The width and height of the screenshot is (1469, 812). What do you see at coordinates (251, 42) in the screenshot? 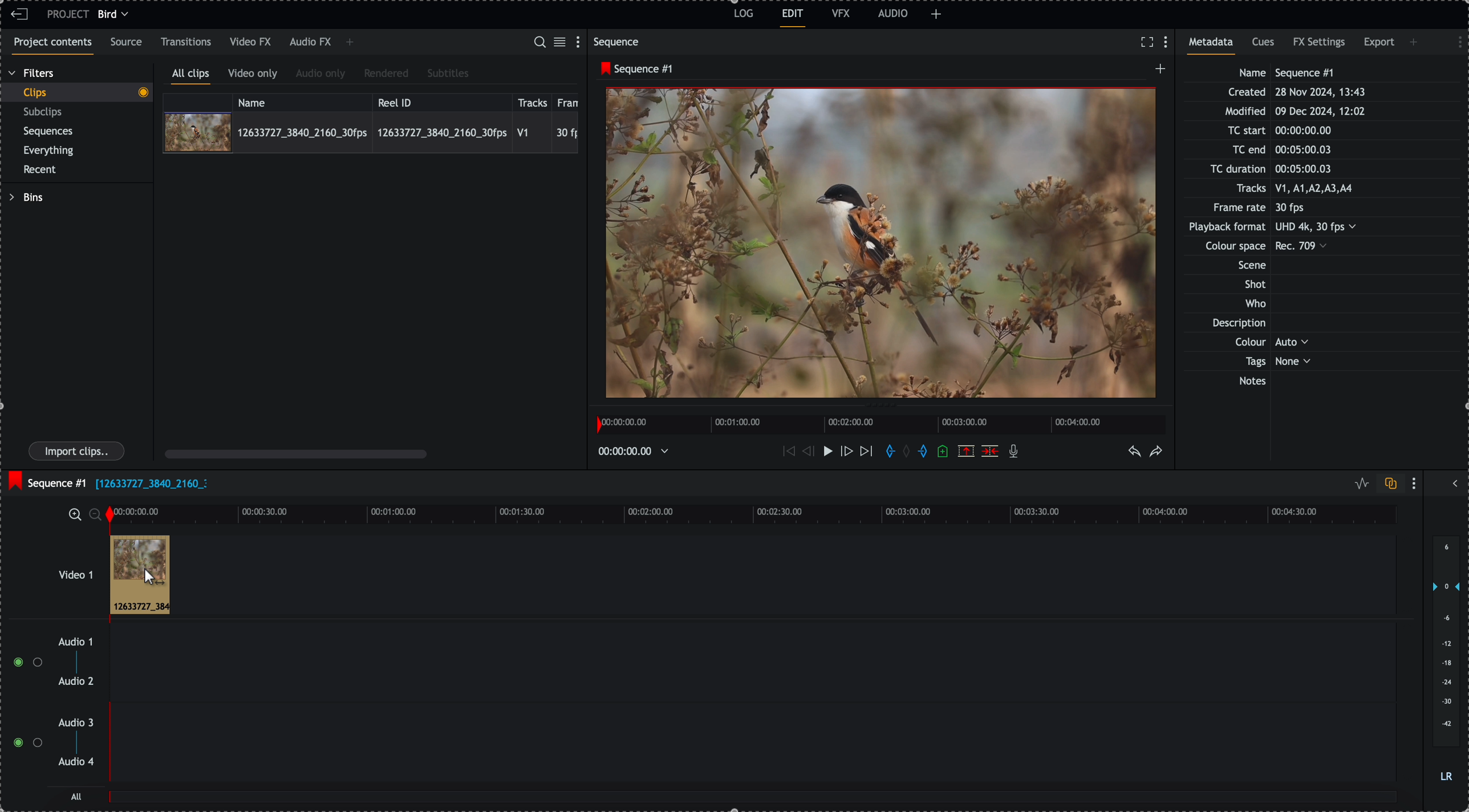
I see `video FX` at bounding box center [251, 42].